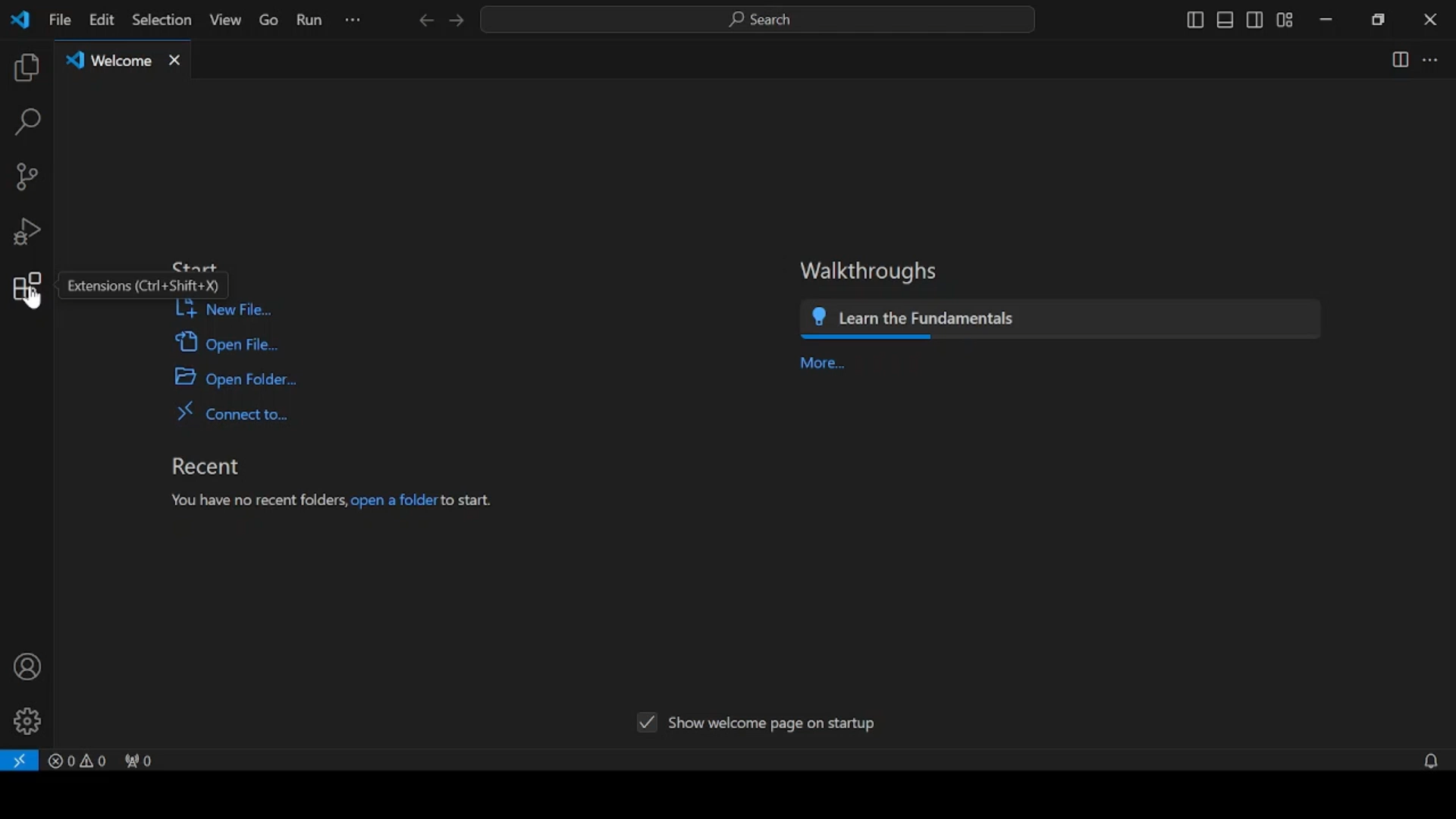 This screenshot has width=1456, height=819. I want to click on walkthroughs, so click(868, 272).